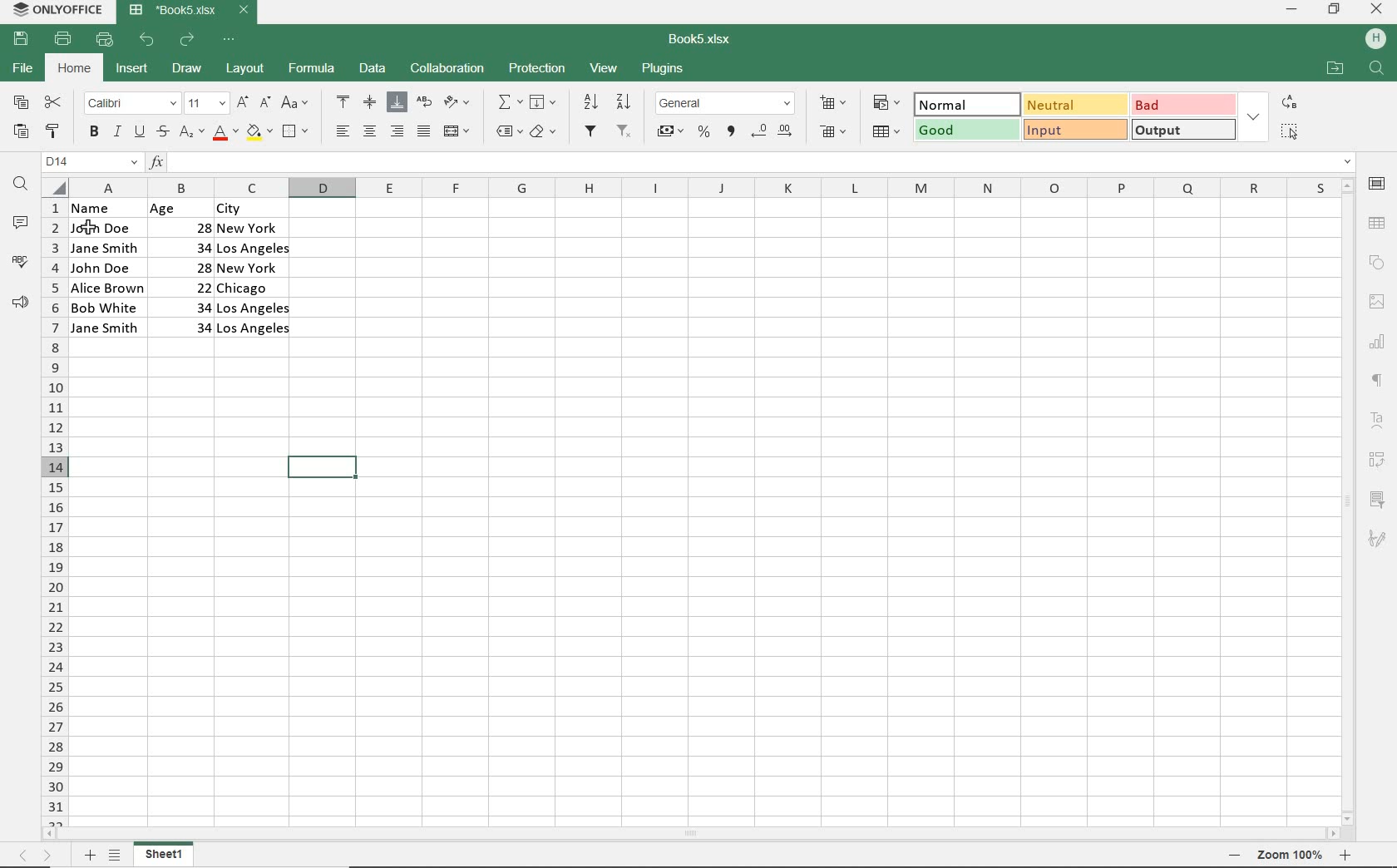 The image size is (1397, 868). Describe the element at coordinates (625, 130) in the screenshot. I see `REMOVE FILTER` at that location.